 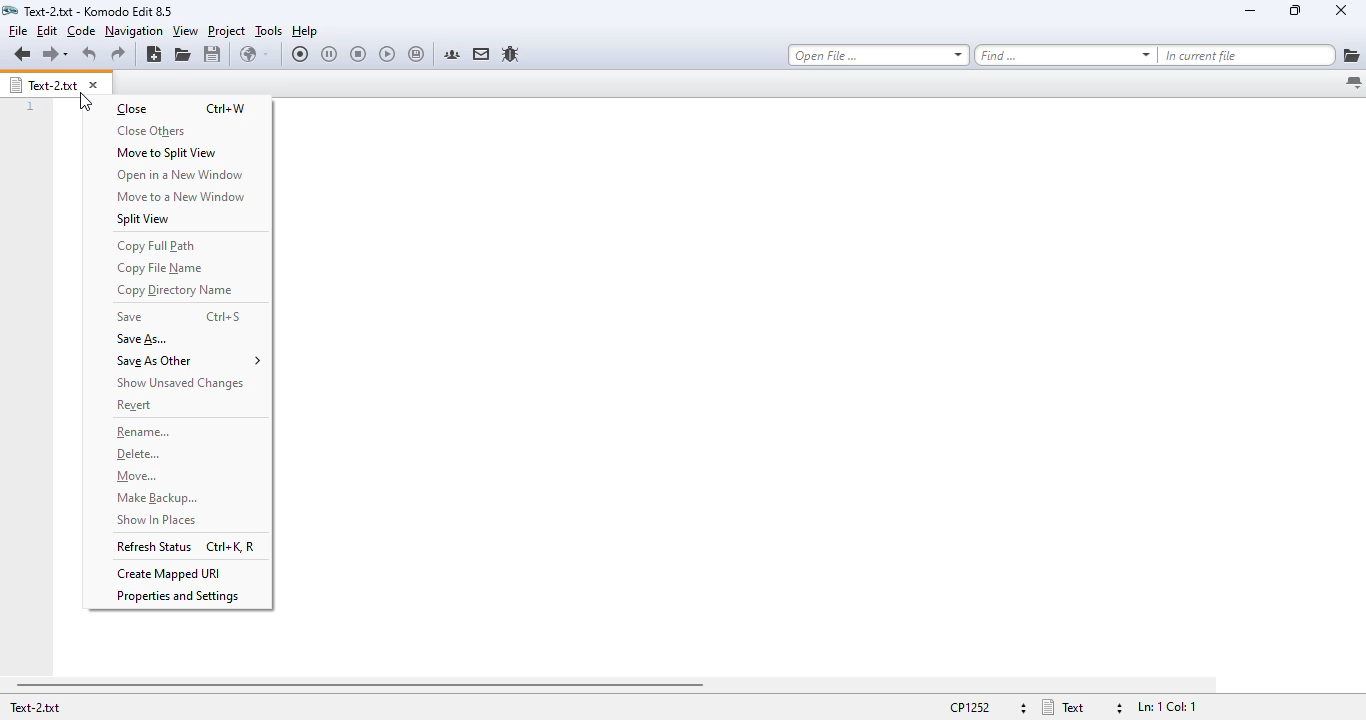 What do you see at coordinates (99, 11) in the screenshot?
I see `title` at bounding box center [99, 11].